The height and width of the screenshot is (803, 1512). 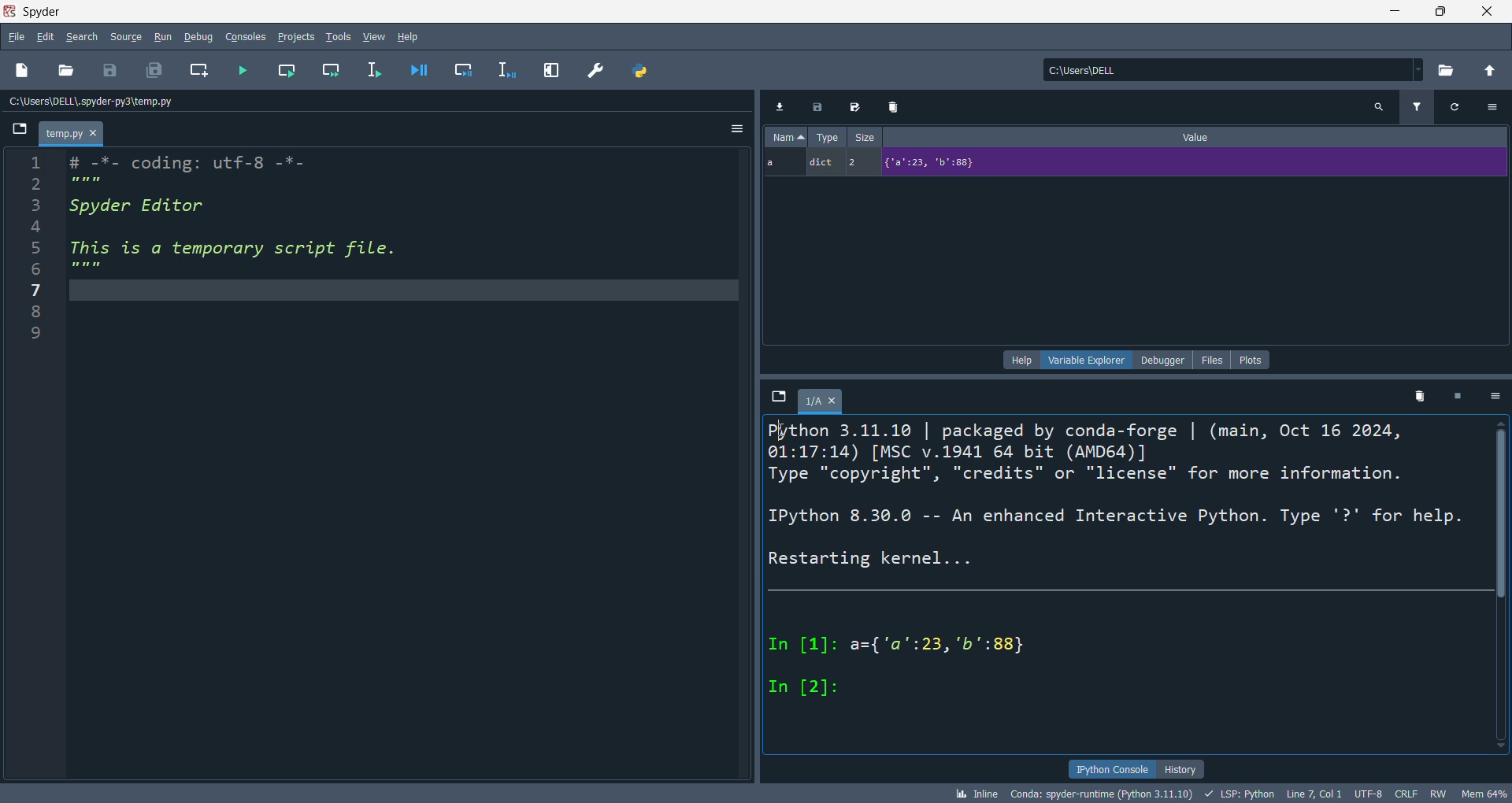 I want to click on ipython console pane, so click(x=1127, y=584).